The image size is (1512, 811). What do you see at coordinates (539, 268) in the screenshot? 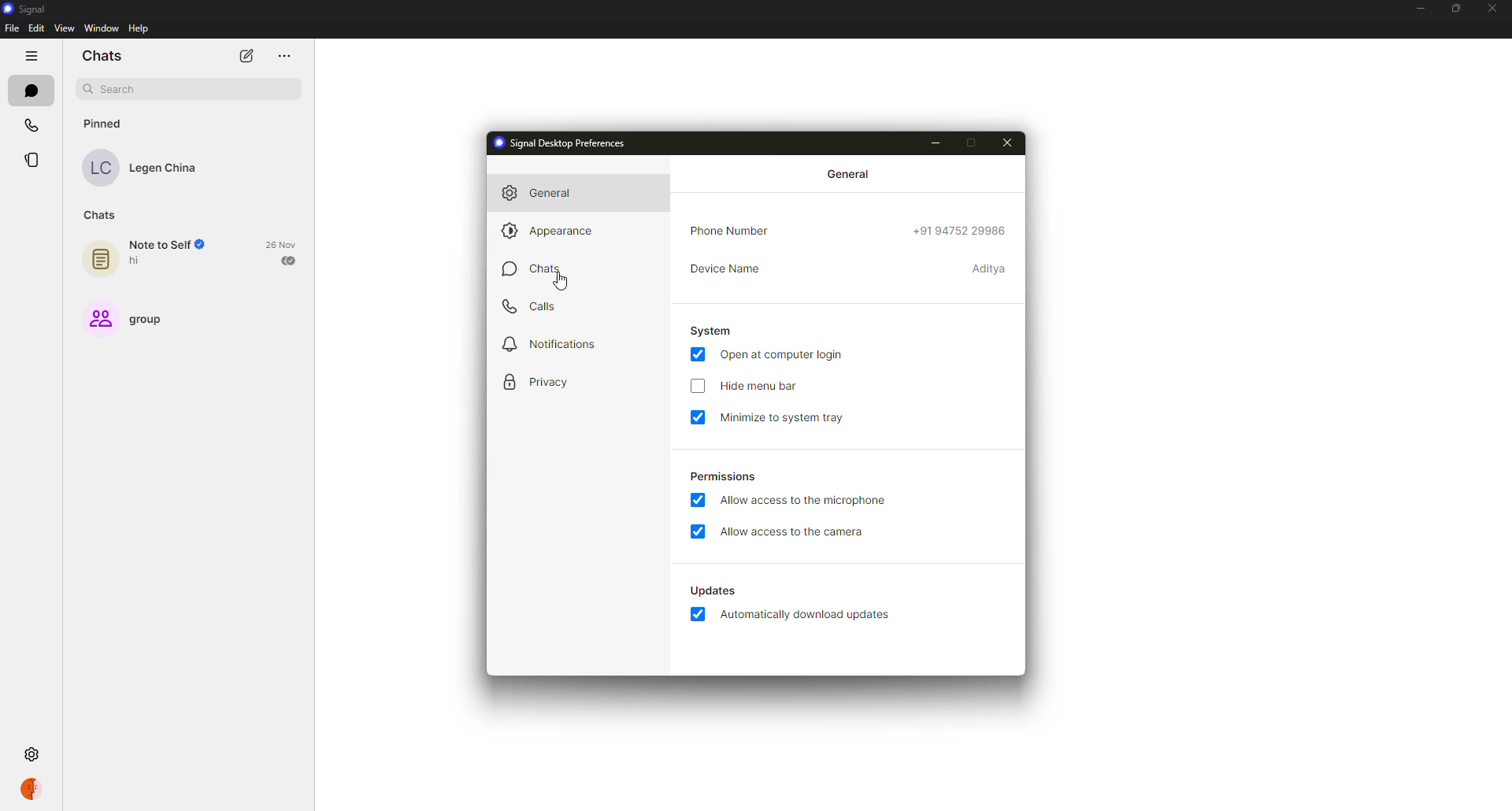
I see `chats` at bounding box center [539, 268].